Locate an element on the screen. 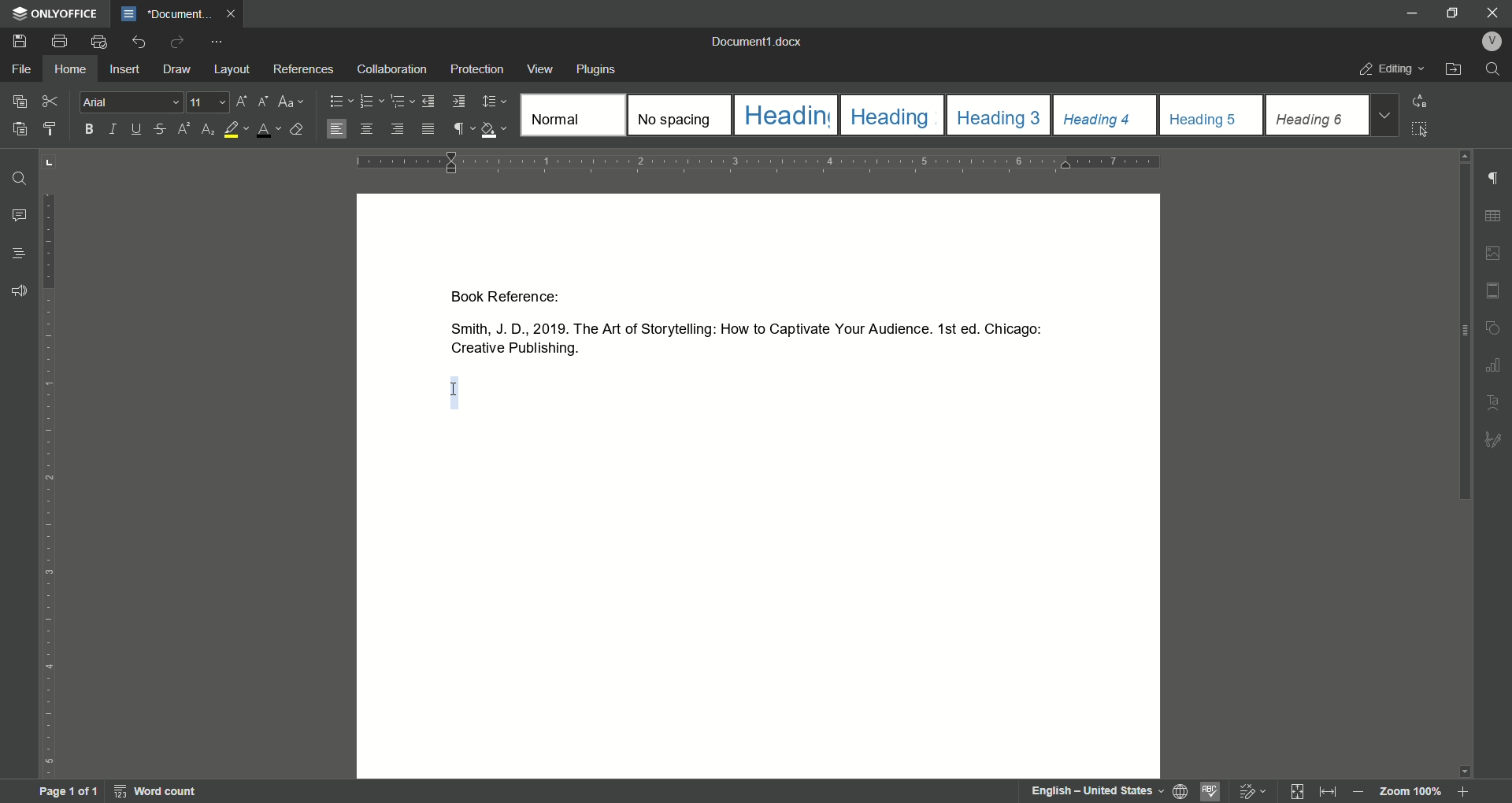 The height and width of the screenshot is (803, 1512). Book Reference: is located at coordinates (508, 297).